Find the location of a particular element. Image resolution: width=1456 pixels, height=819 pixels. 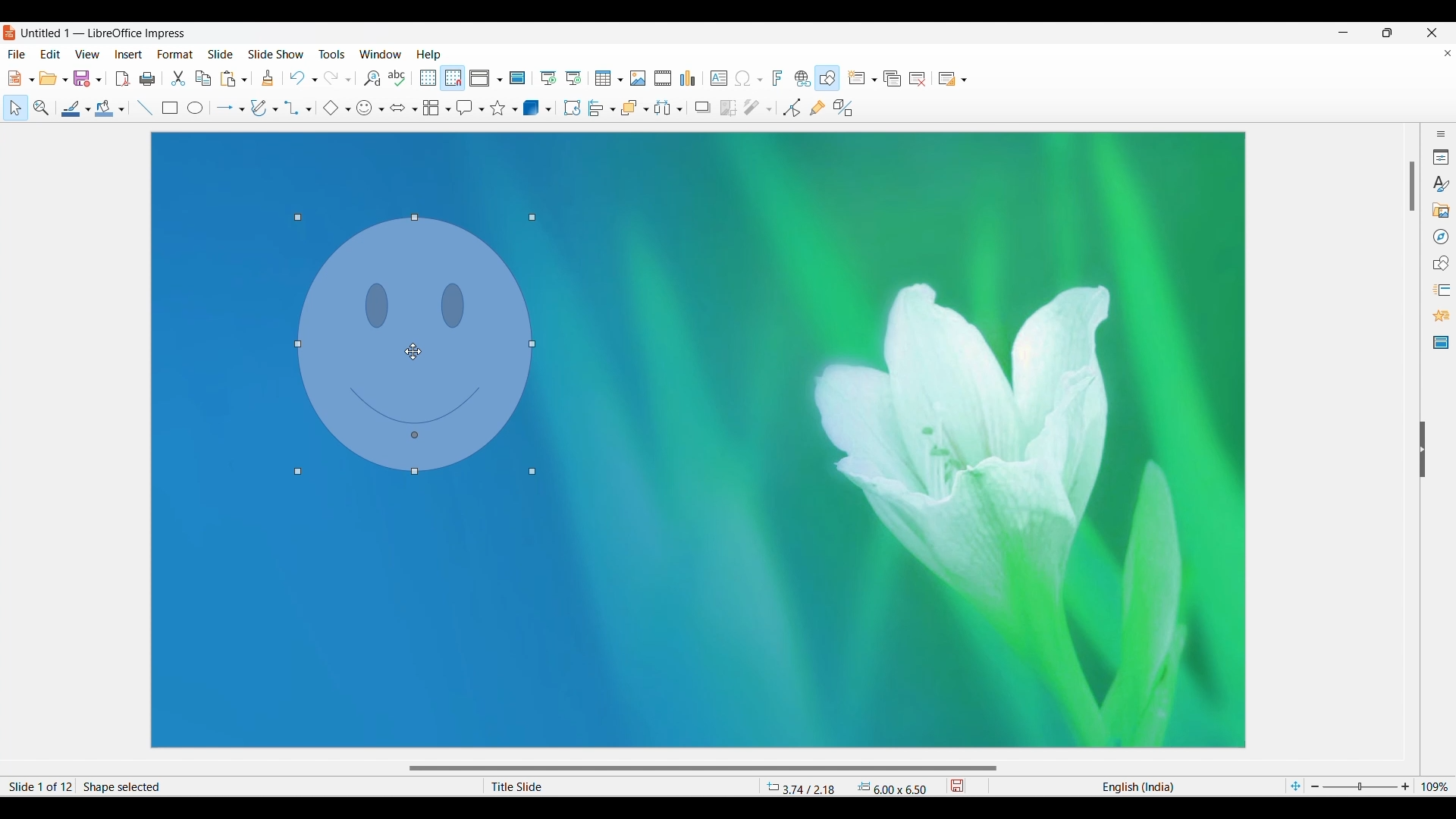

Tools is located at coordinates (332, 53).